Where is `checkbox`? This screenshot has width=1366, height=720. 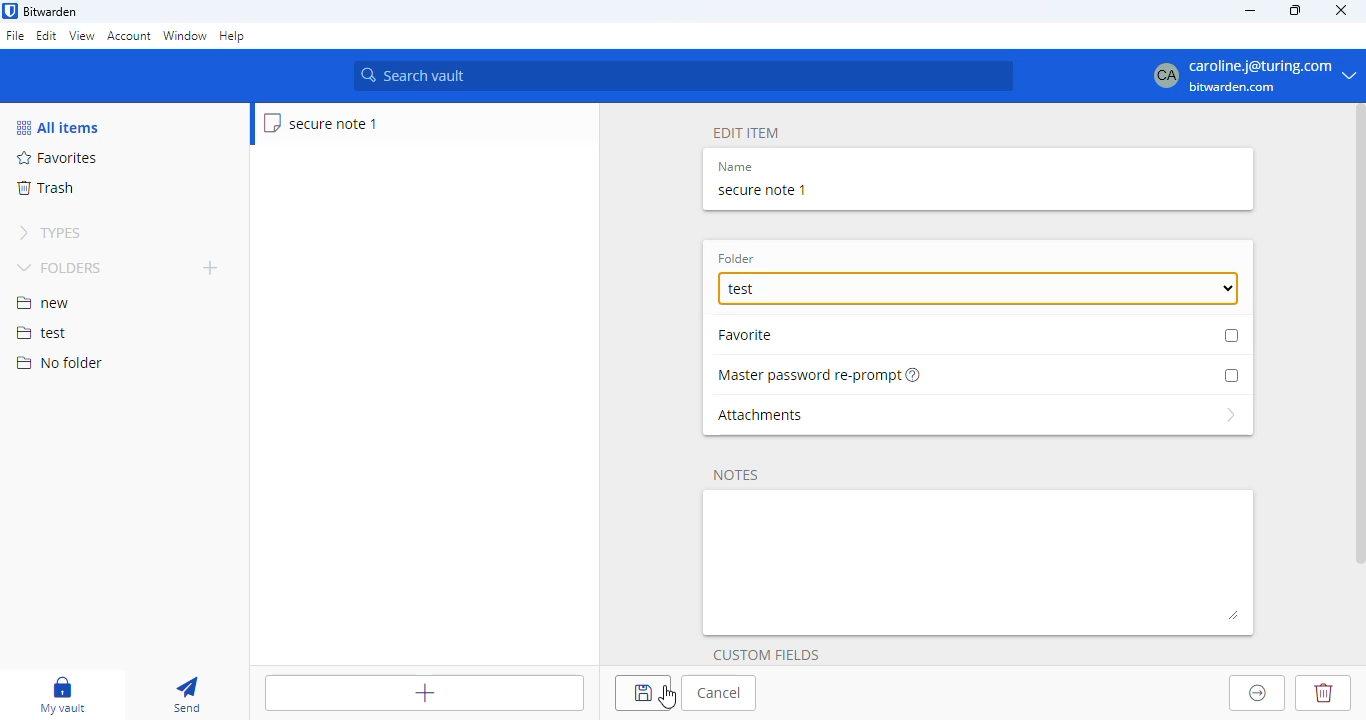
checkbox is located at coordinates (1232, 335).